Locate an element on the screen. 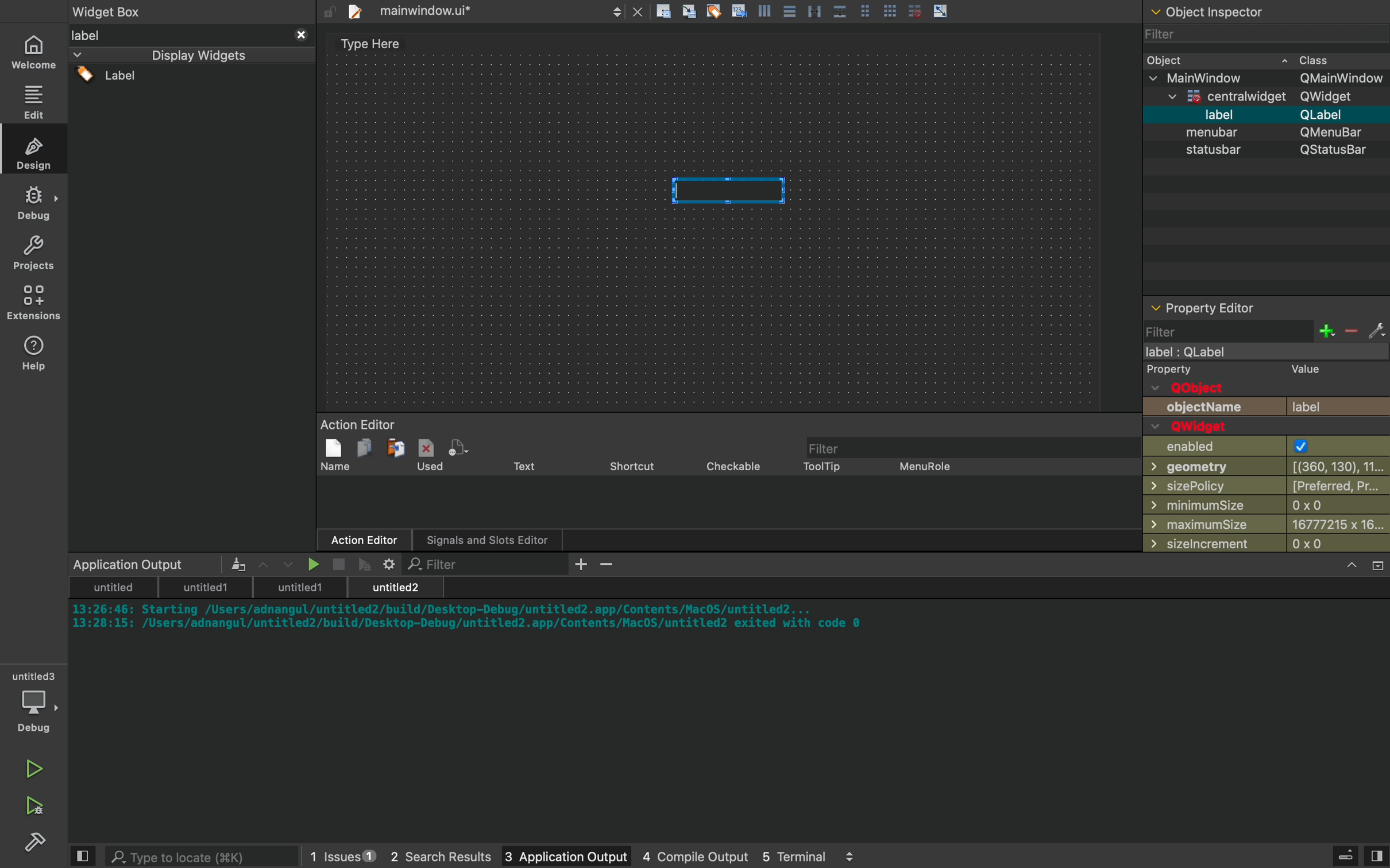 The width and height of the screenshot is (1390, 868). console is located at coordinates (732, 699).